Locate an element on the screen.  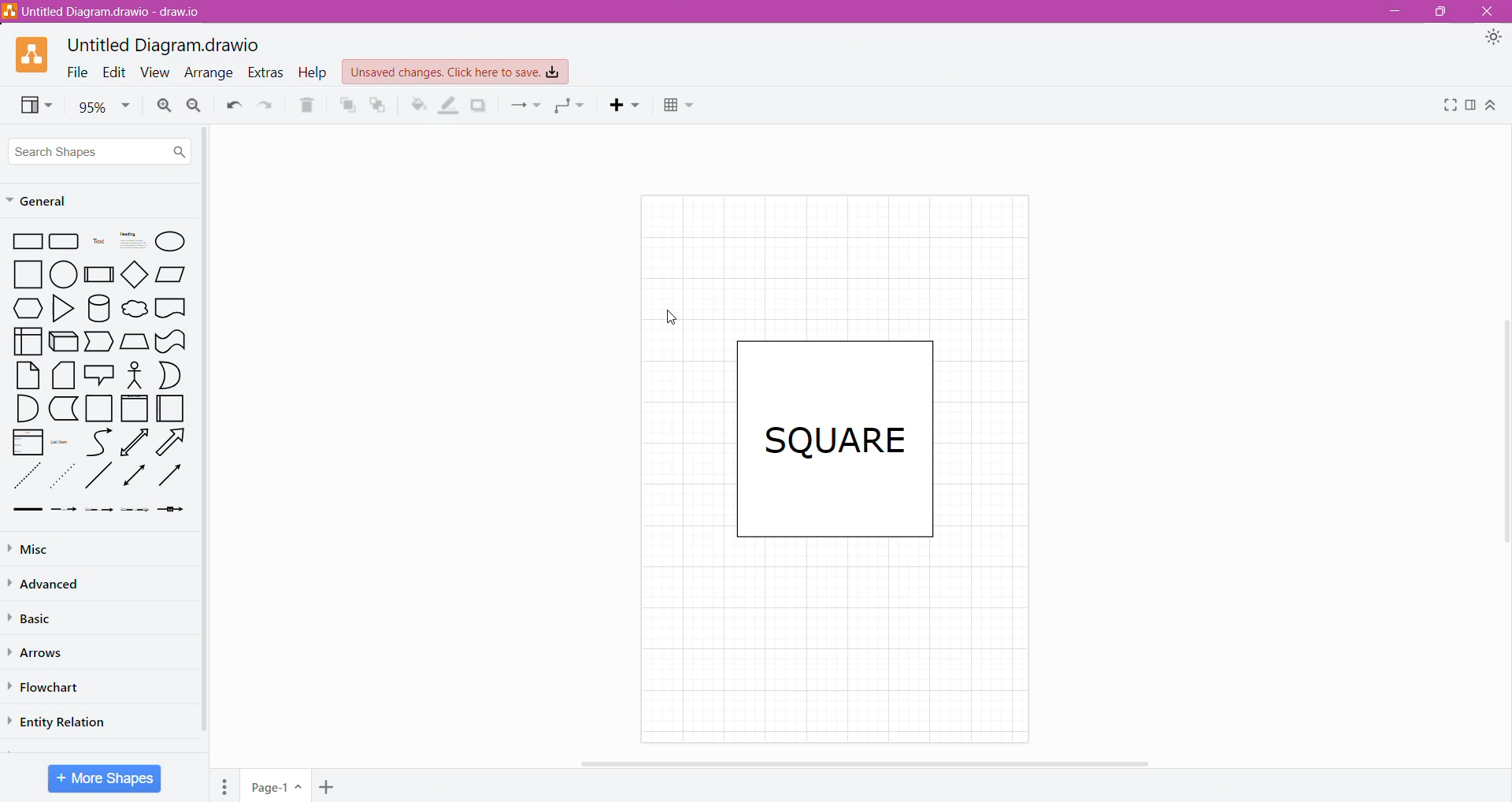
Delete is located at coordinates (307, 106).